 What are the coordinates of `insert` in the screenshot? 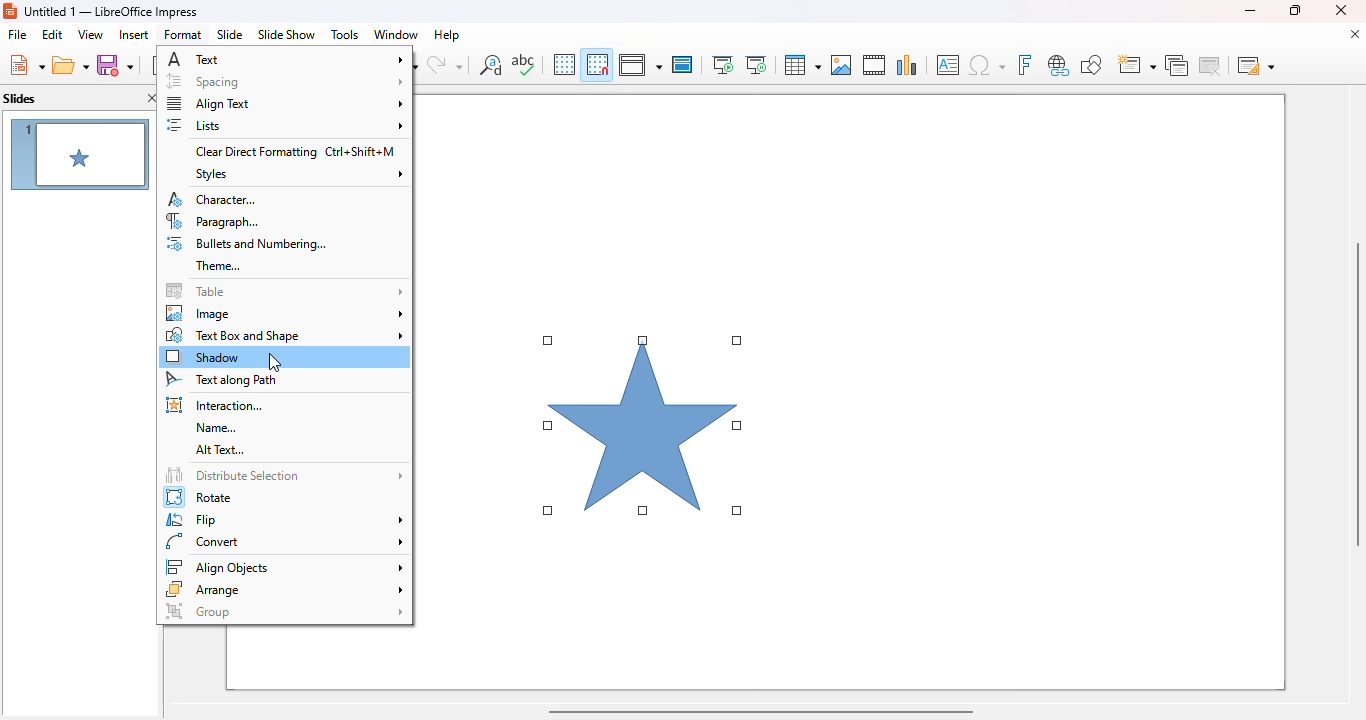 It's located at (134, 35).